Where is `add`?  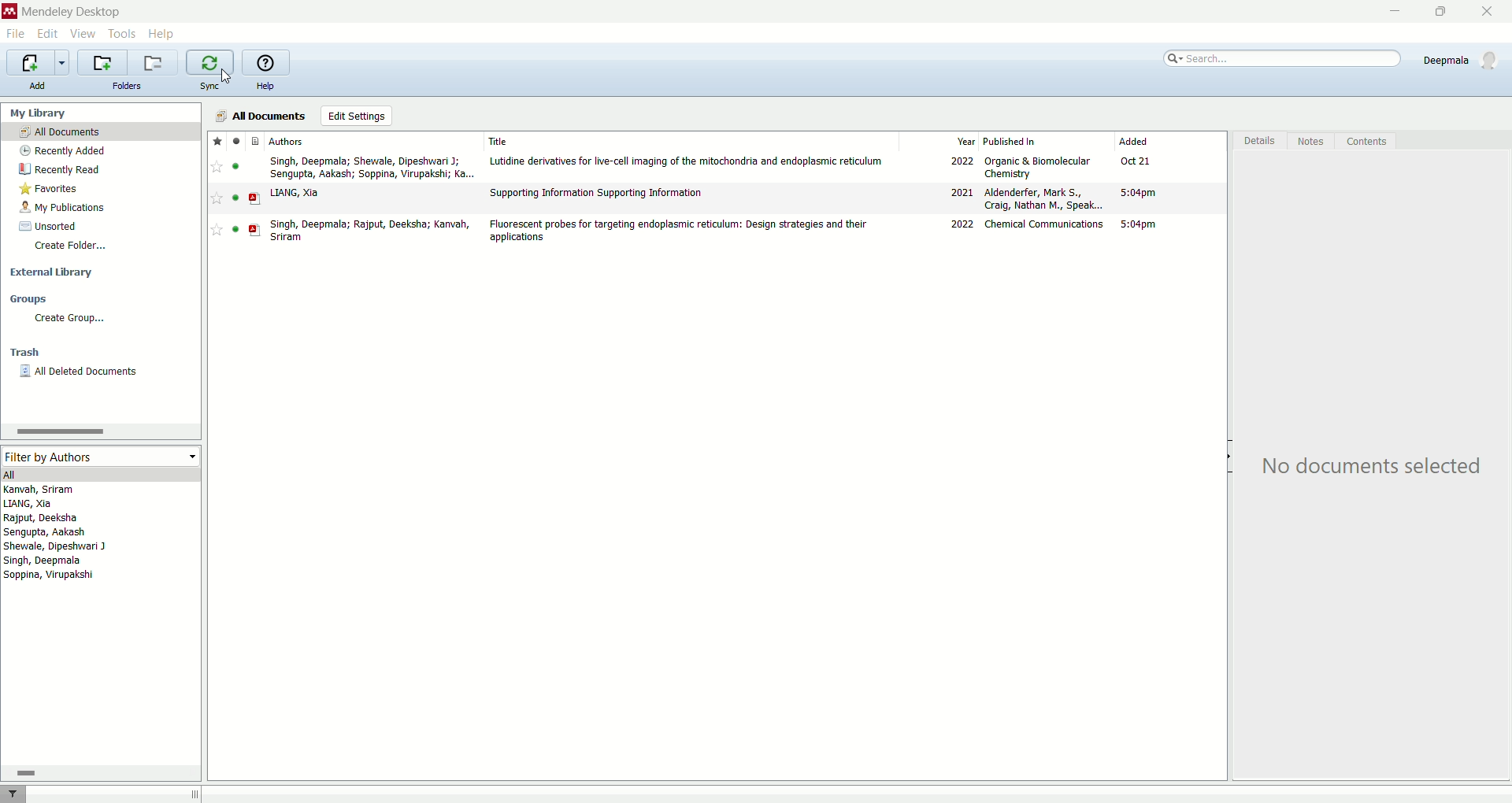
add is located at coordinates (35, 86).